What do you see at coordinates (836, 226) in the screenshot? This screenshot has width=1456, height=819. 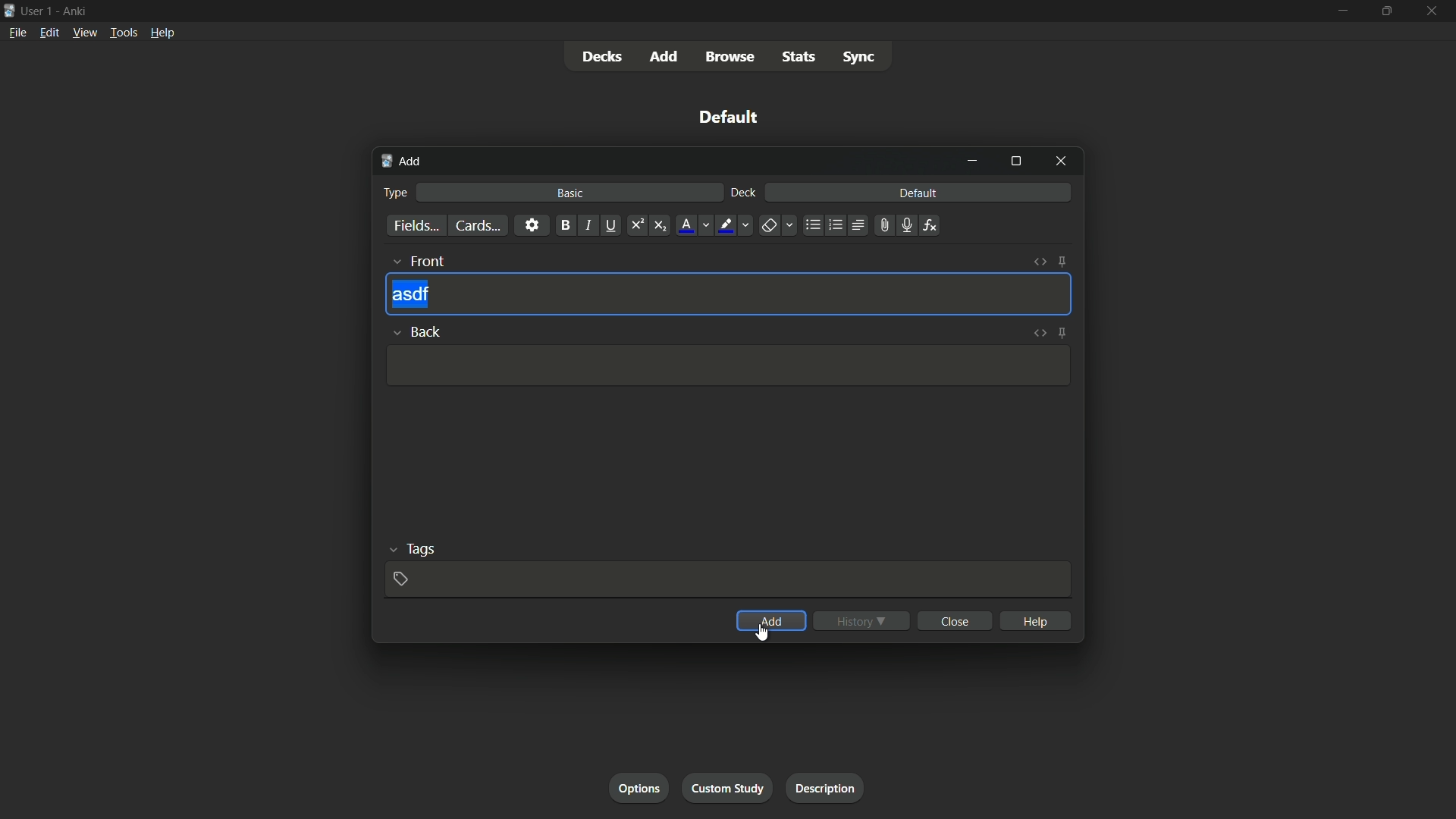 I see `ordered list` at bounding box center [836, 226].